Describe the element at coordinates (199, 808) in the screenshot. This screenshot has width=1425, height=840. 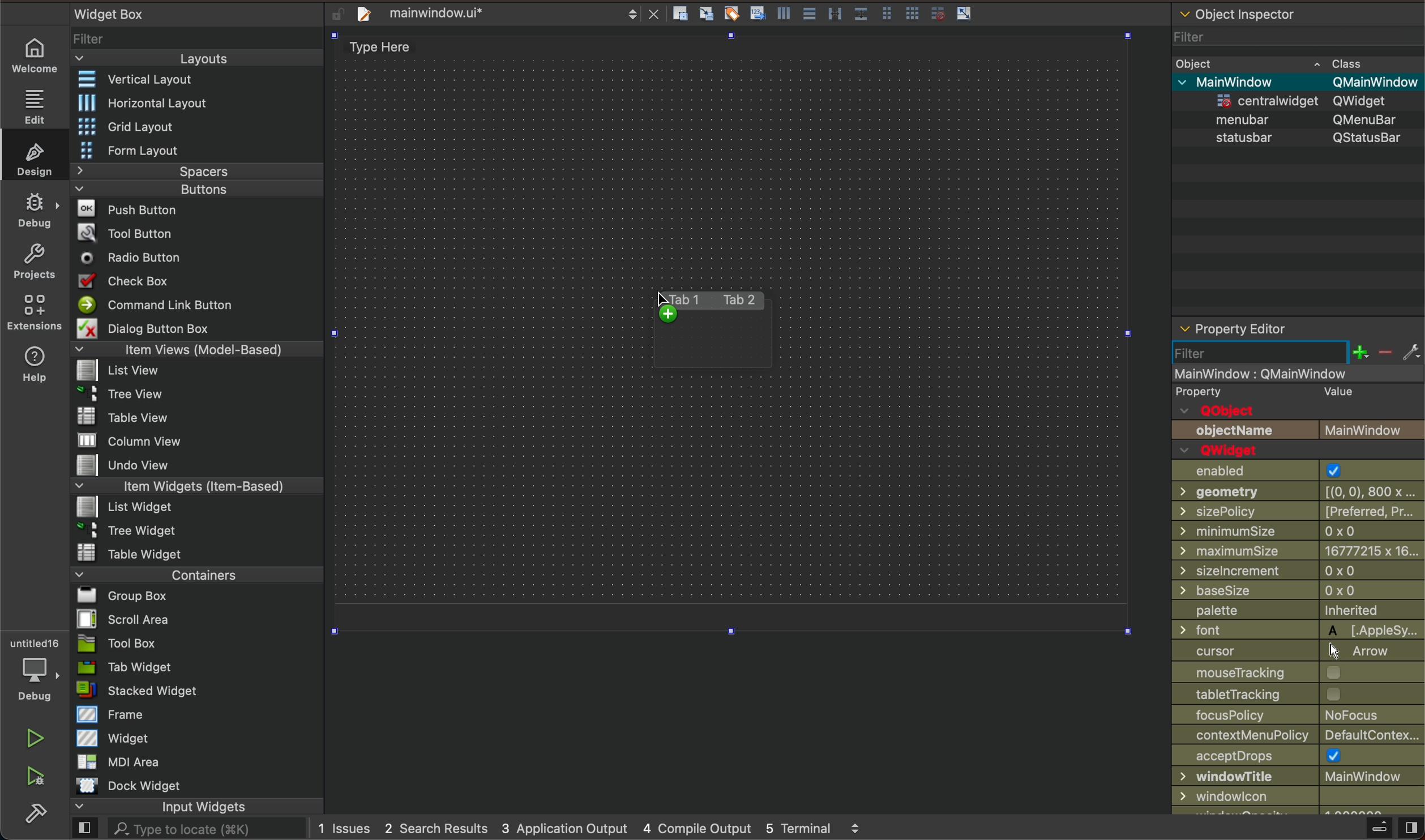
I see `input widgets` at that location.